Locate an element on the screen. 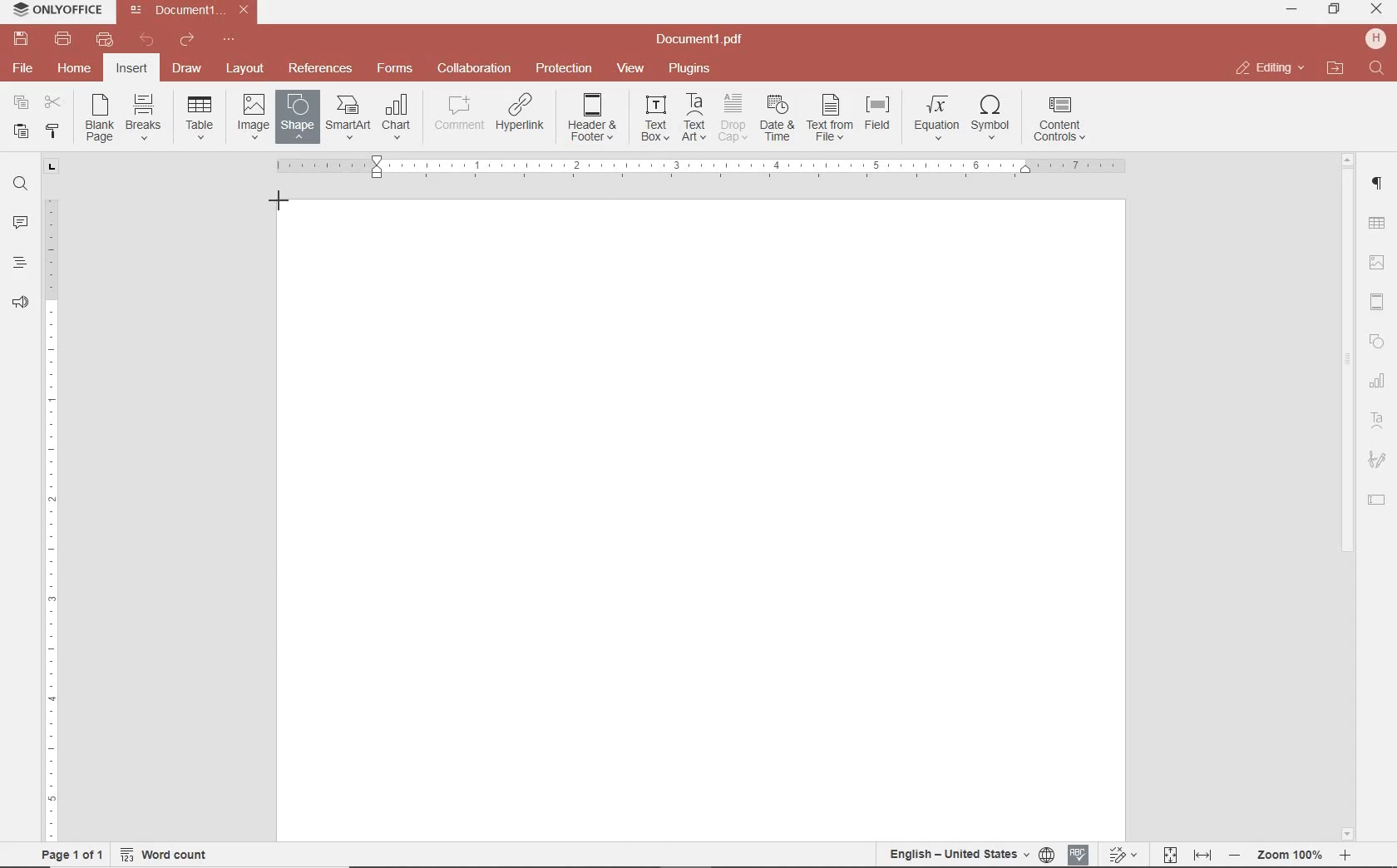 This screenshot has width=1397, height=868. undo is located at coordinates (147, 40).